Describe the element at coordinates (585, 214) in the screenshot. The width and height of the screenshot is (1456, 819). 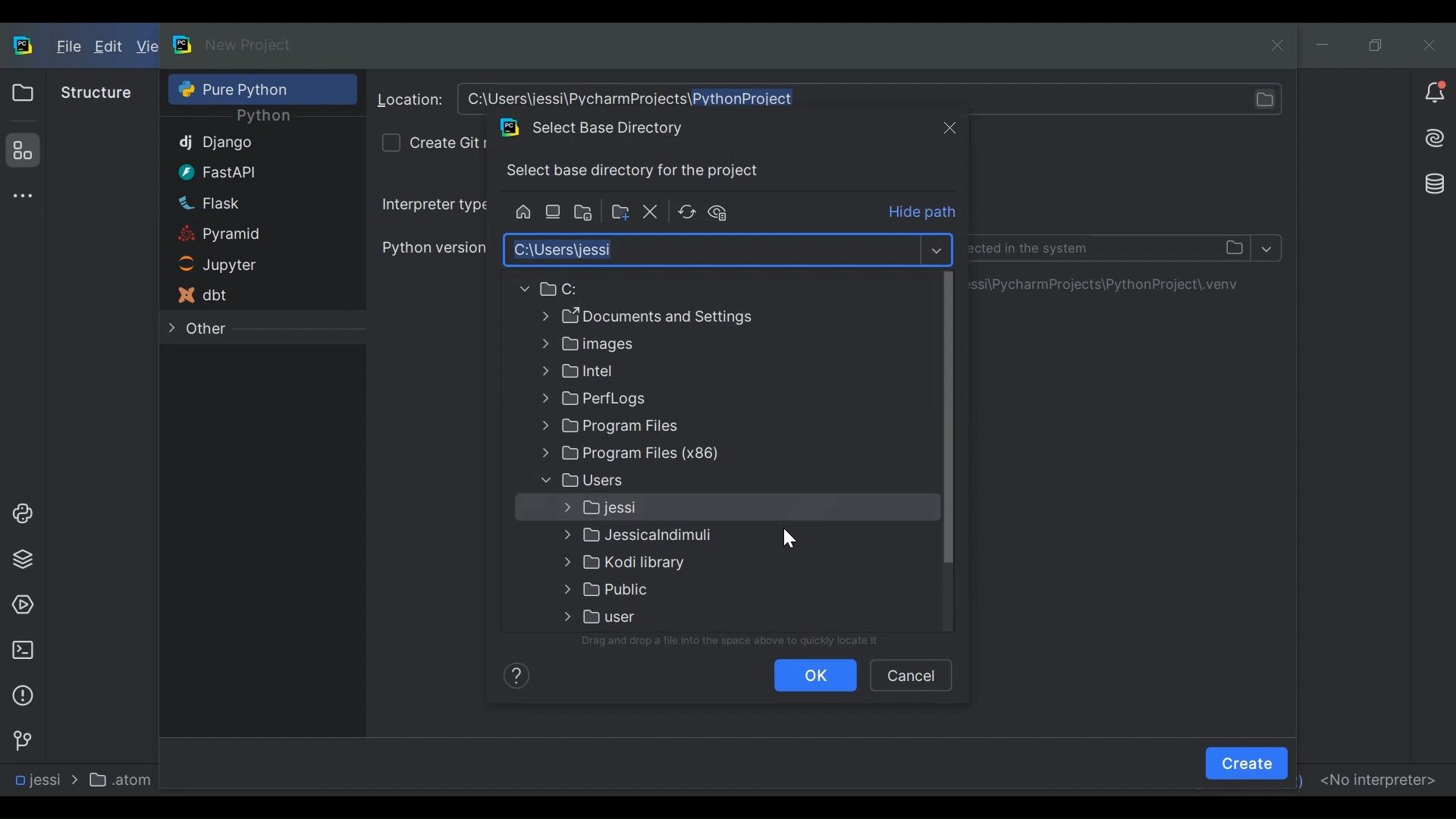
I see `Project Directory` at that location.